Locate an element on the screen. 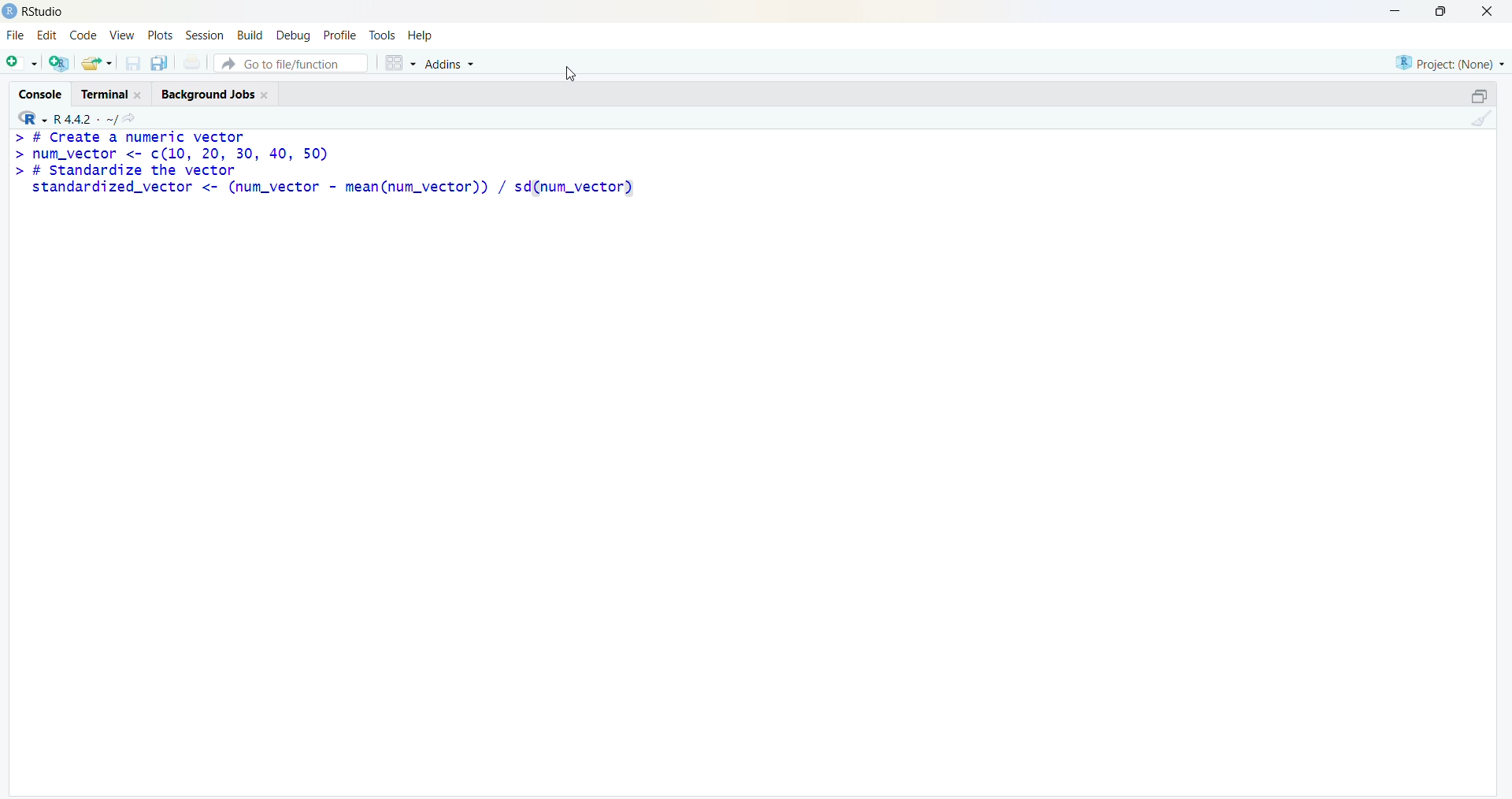  R 4.4.2 ~/ is located at coordinates (84, 119).